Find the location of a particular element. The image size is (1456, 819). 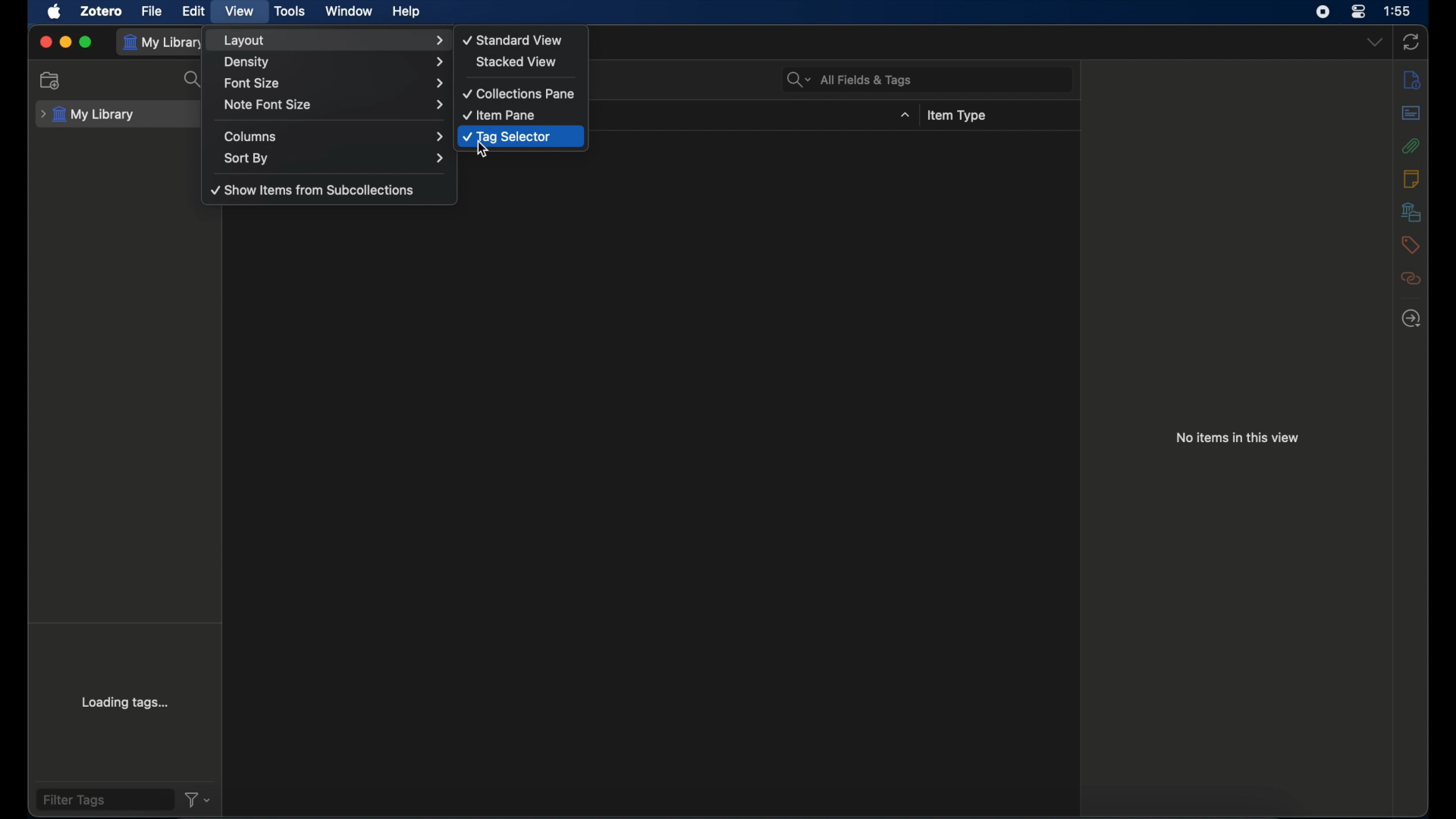

abstracts is located at coordinates (1410, 112).